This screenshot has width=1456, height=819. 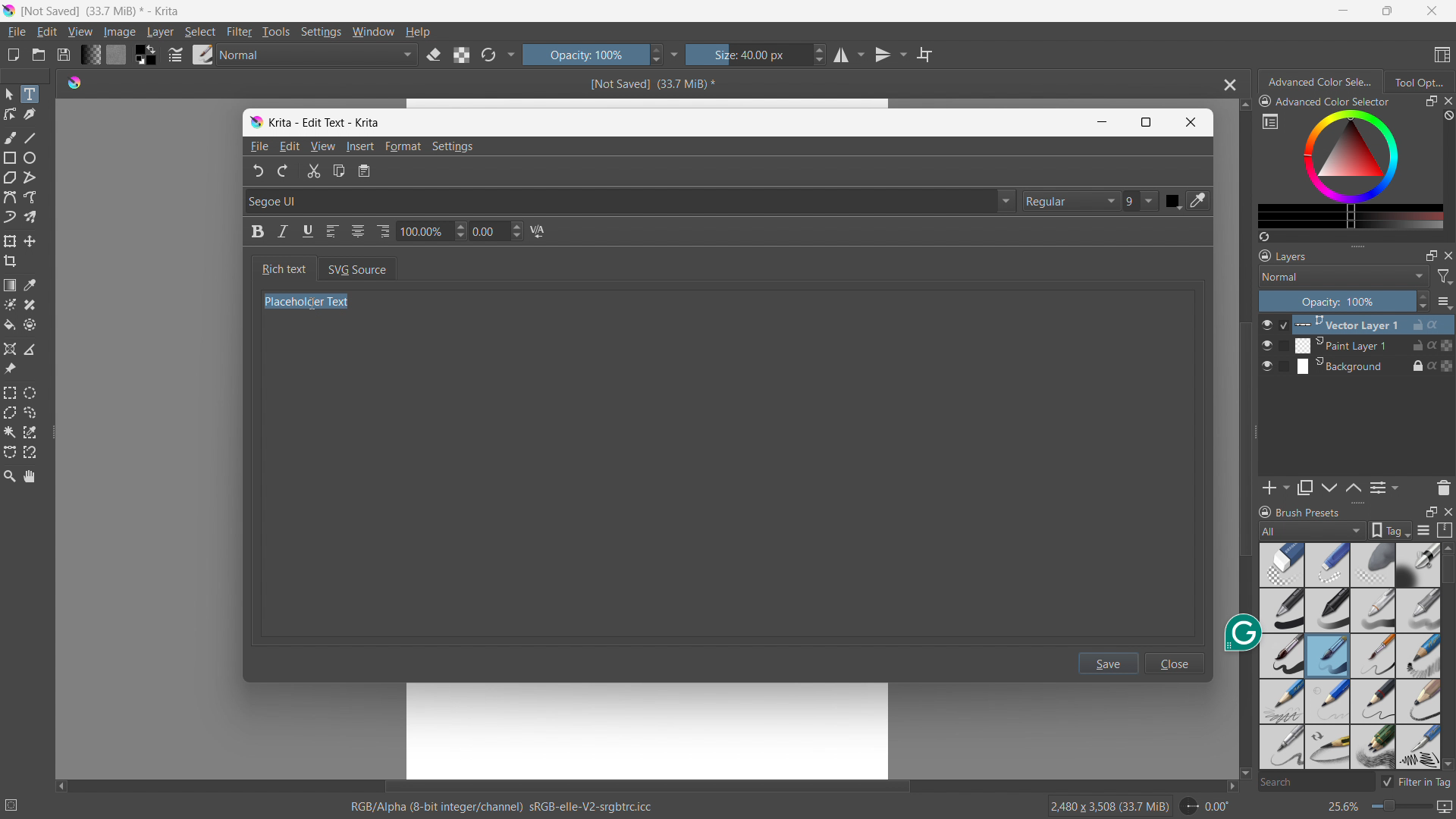 I want to click on resize , so click(x=1357, y=504).